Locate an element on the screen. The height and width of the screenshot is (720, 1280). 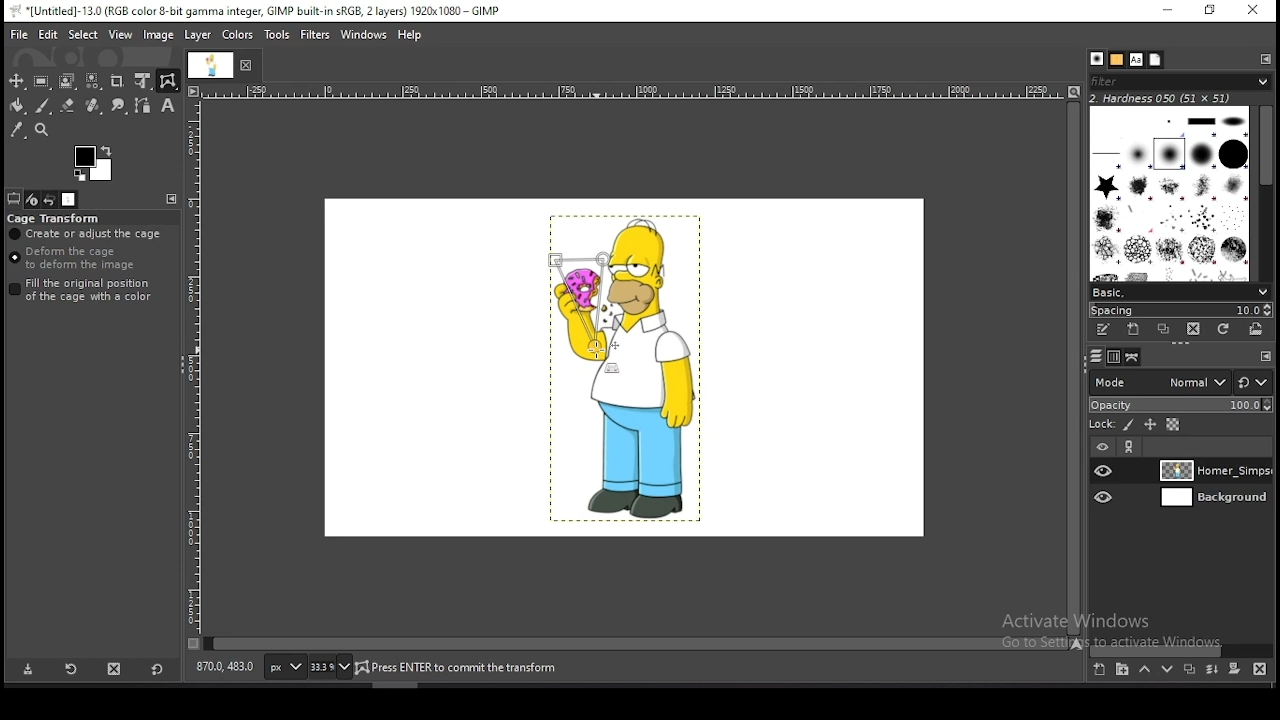
create a new brush is located at coordinates (1136, 331).